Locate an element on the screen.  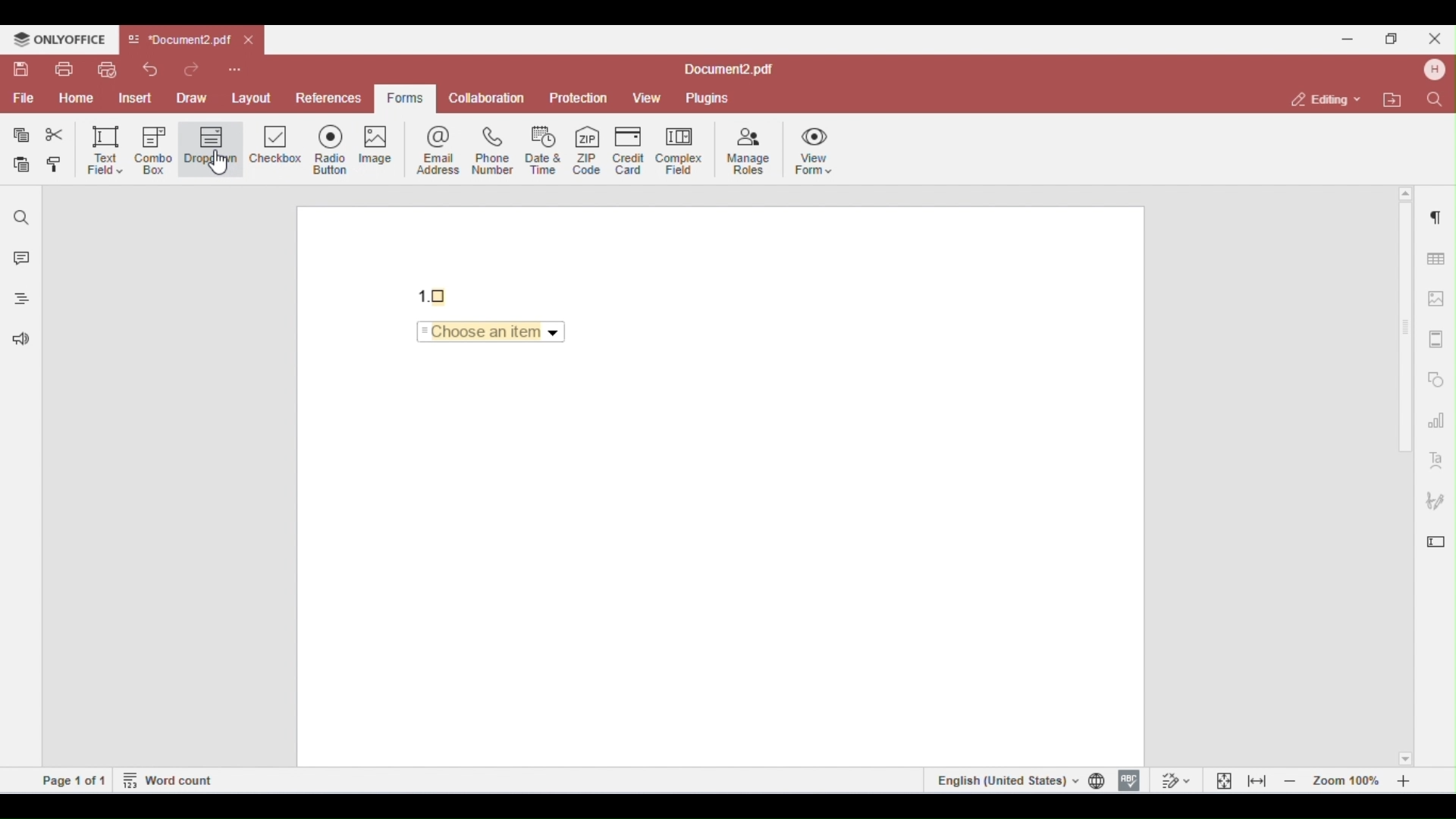
vertical scroll bar is located at coordinates (1407, 338).